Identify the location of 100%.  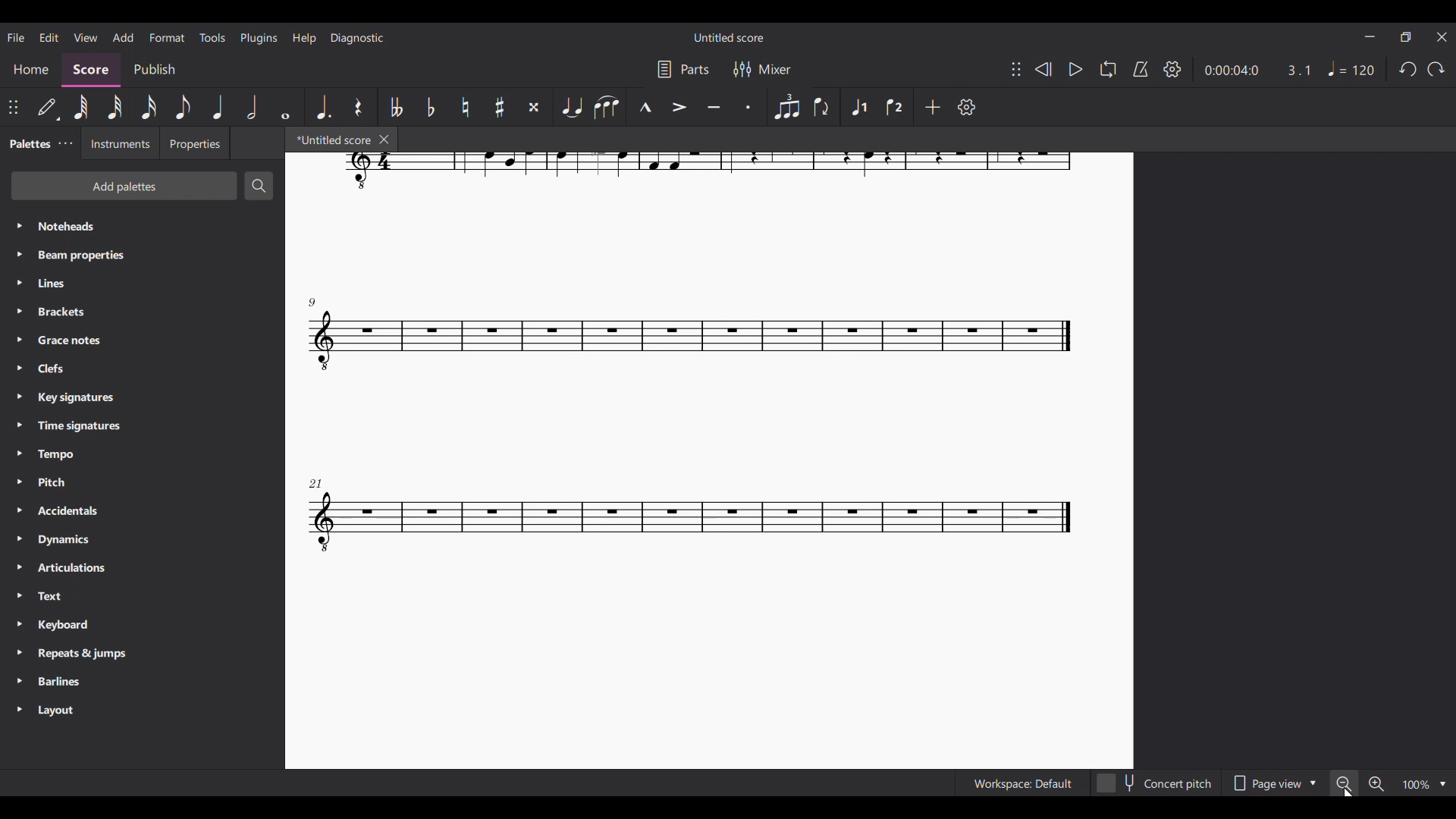
(1415, 784).